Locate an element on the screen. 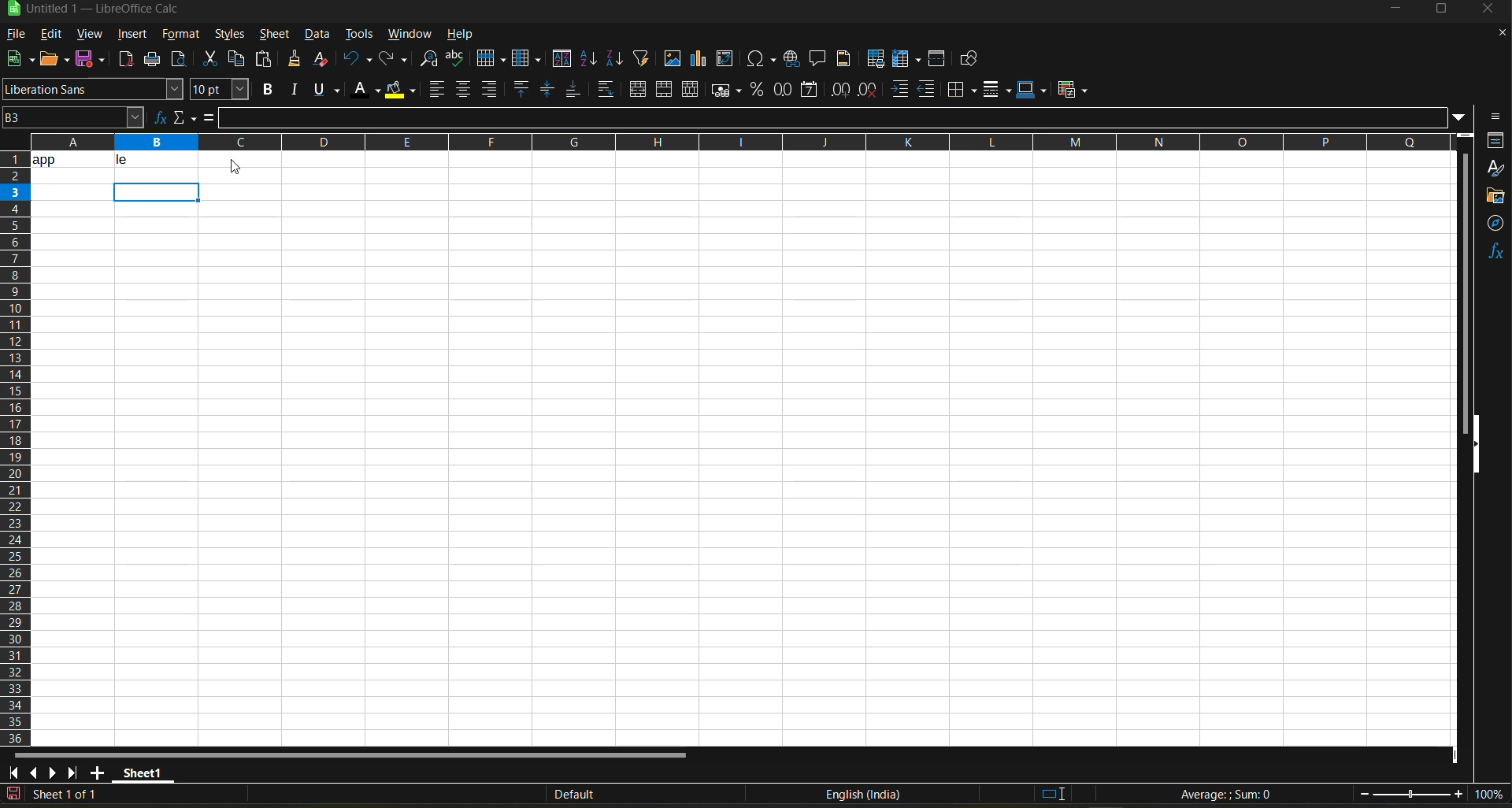 This screenshot has height=808, width=1512. text language is located at coordinates (862, 794).